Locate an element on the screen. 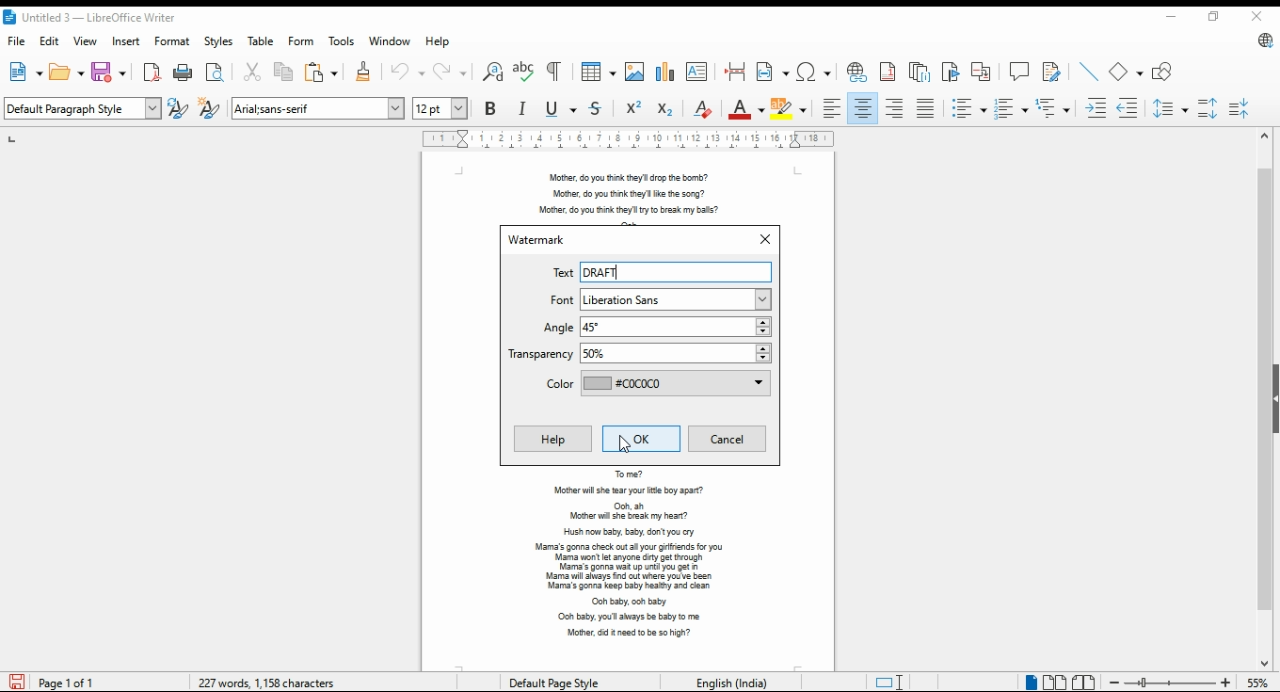 Image resolution: width=1280 pixels, height=692 pixels. insert tables is located at coordinates (599, 72).